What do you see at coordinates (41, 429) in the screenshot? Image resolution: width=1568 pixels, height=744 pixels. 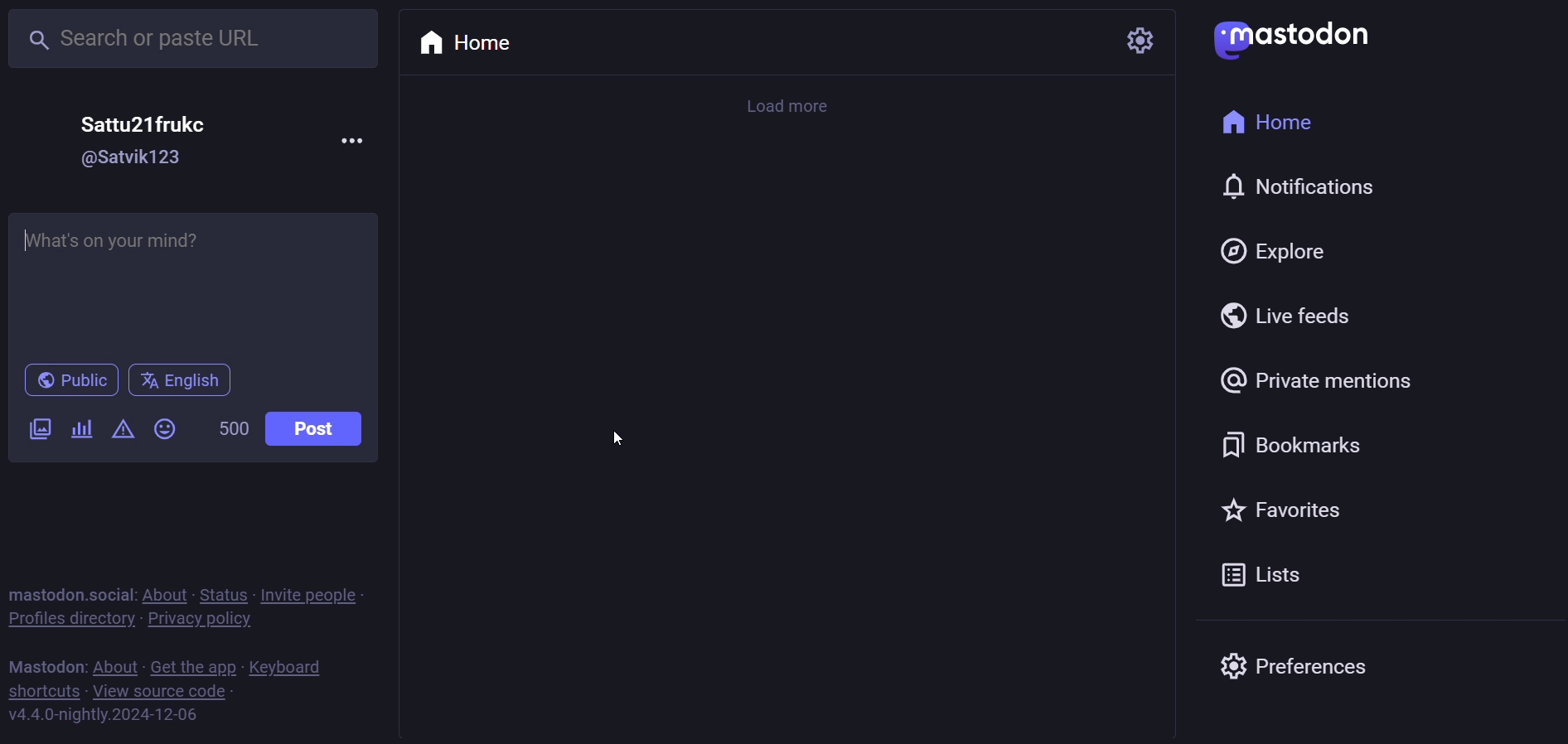 I see `images/video` at bounding box center [41, 429].